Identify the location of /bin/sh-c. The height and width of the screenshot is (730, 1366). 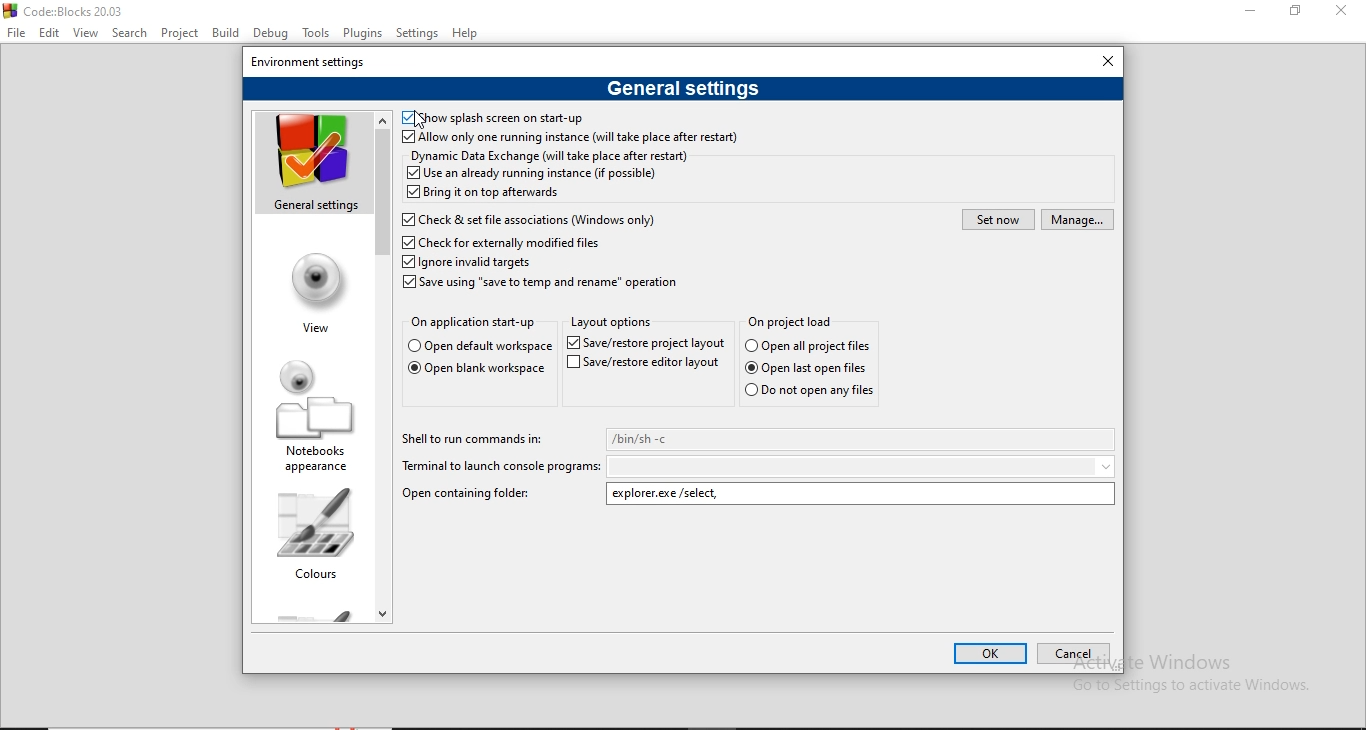
(862, 439).